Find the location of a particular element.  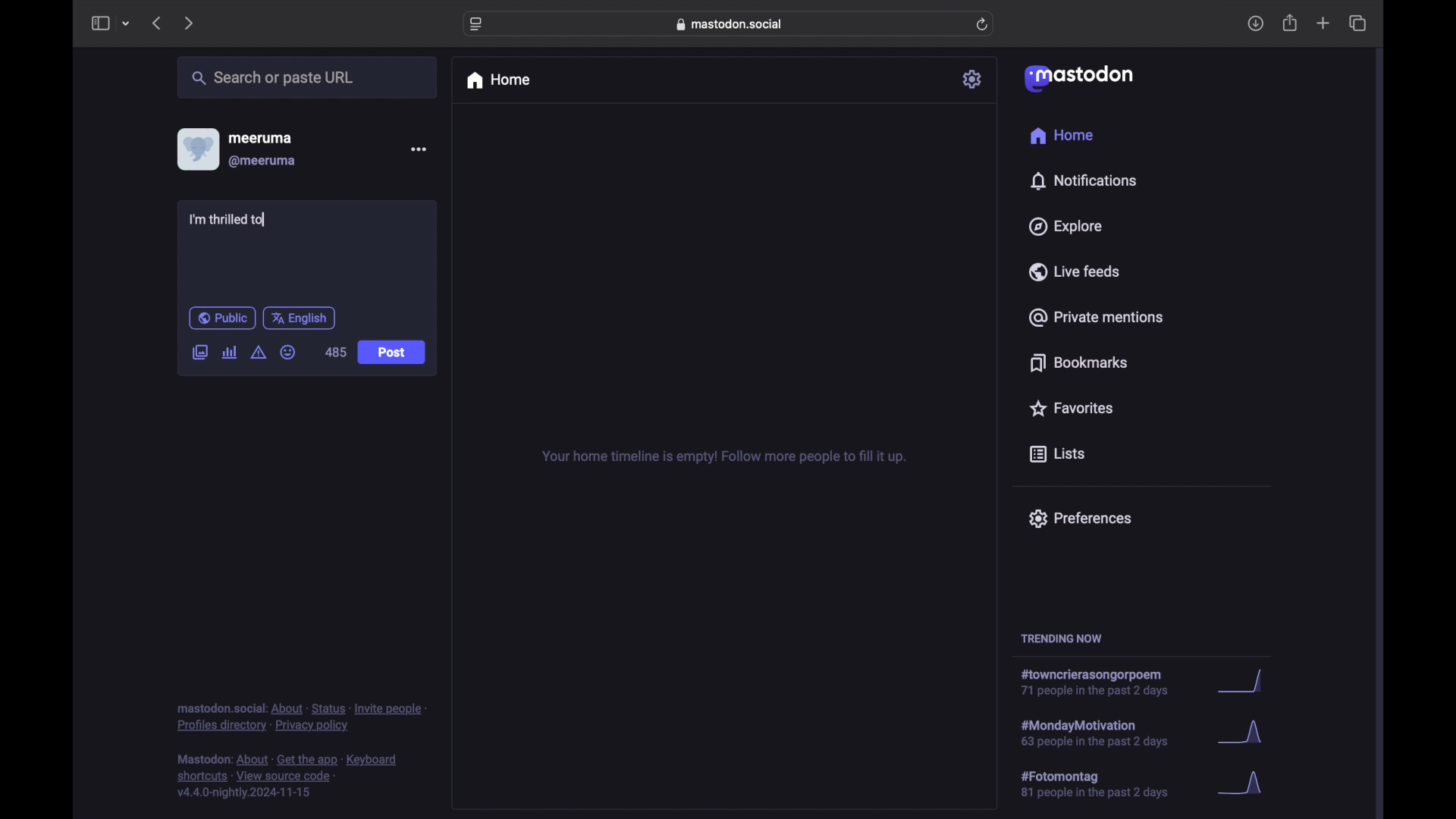

previous is located at coordinates (156, 23).